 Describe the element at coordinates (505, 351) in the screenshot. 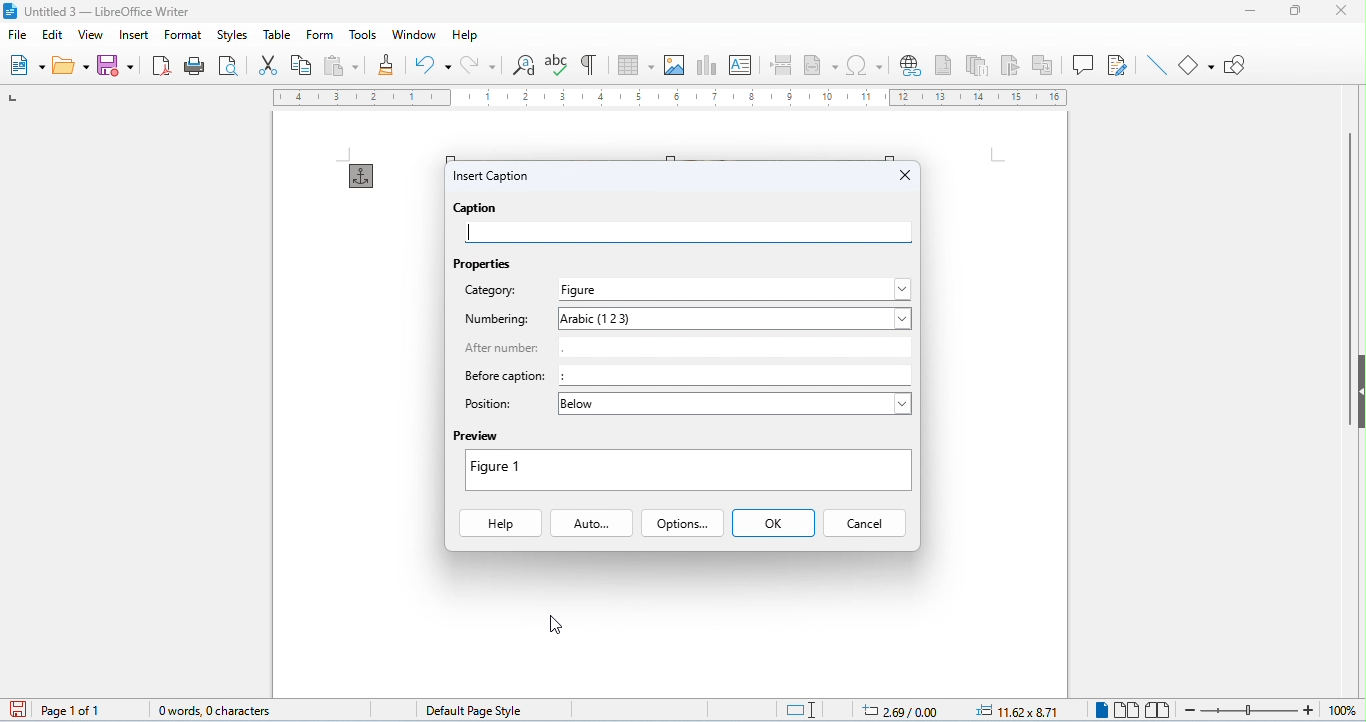

I see `after number` at that location.